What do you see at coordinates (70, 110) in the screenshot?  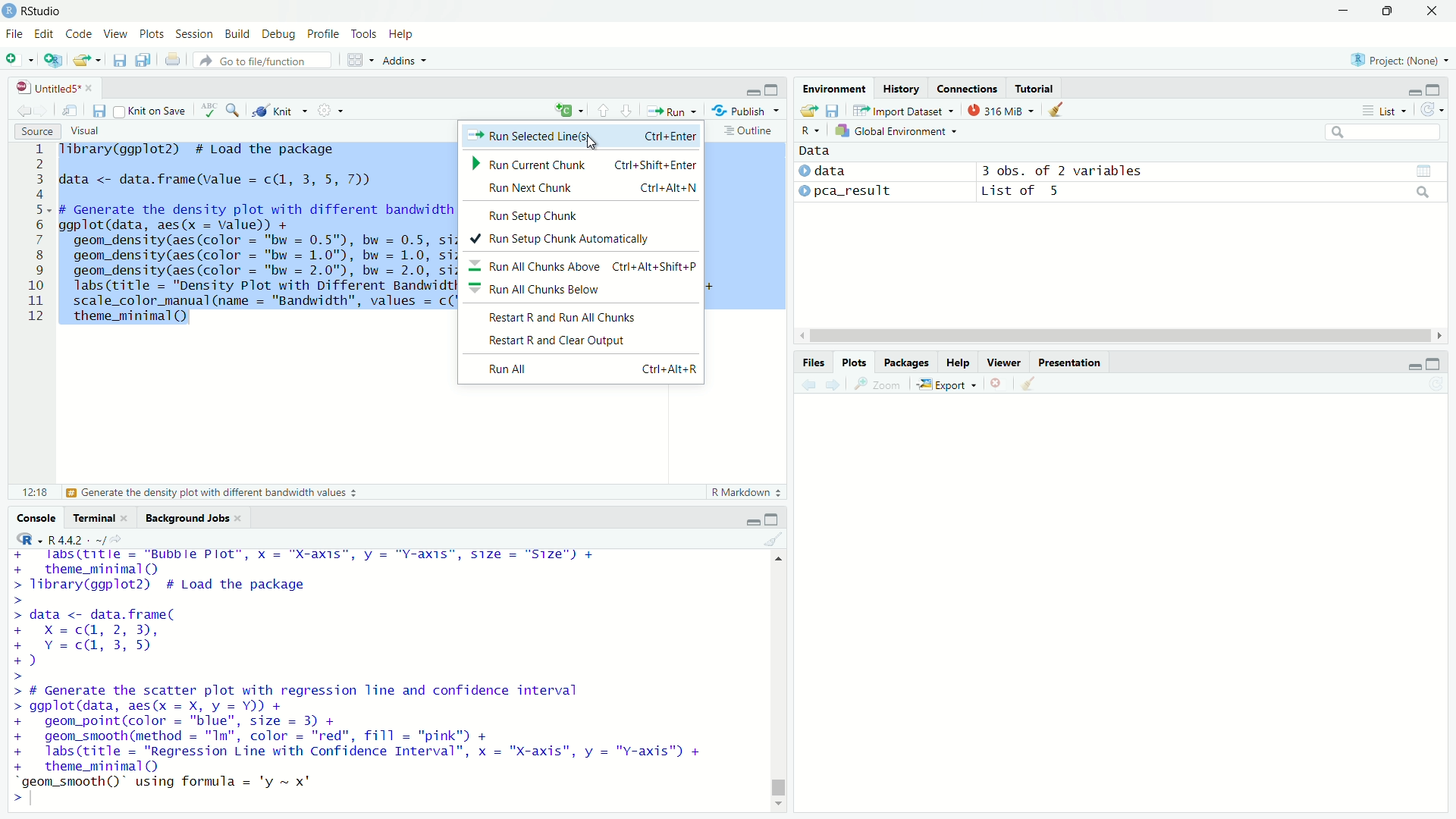 I see `Show in new window` at bounding box center [70, 110].